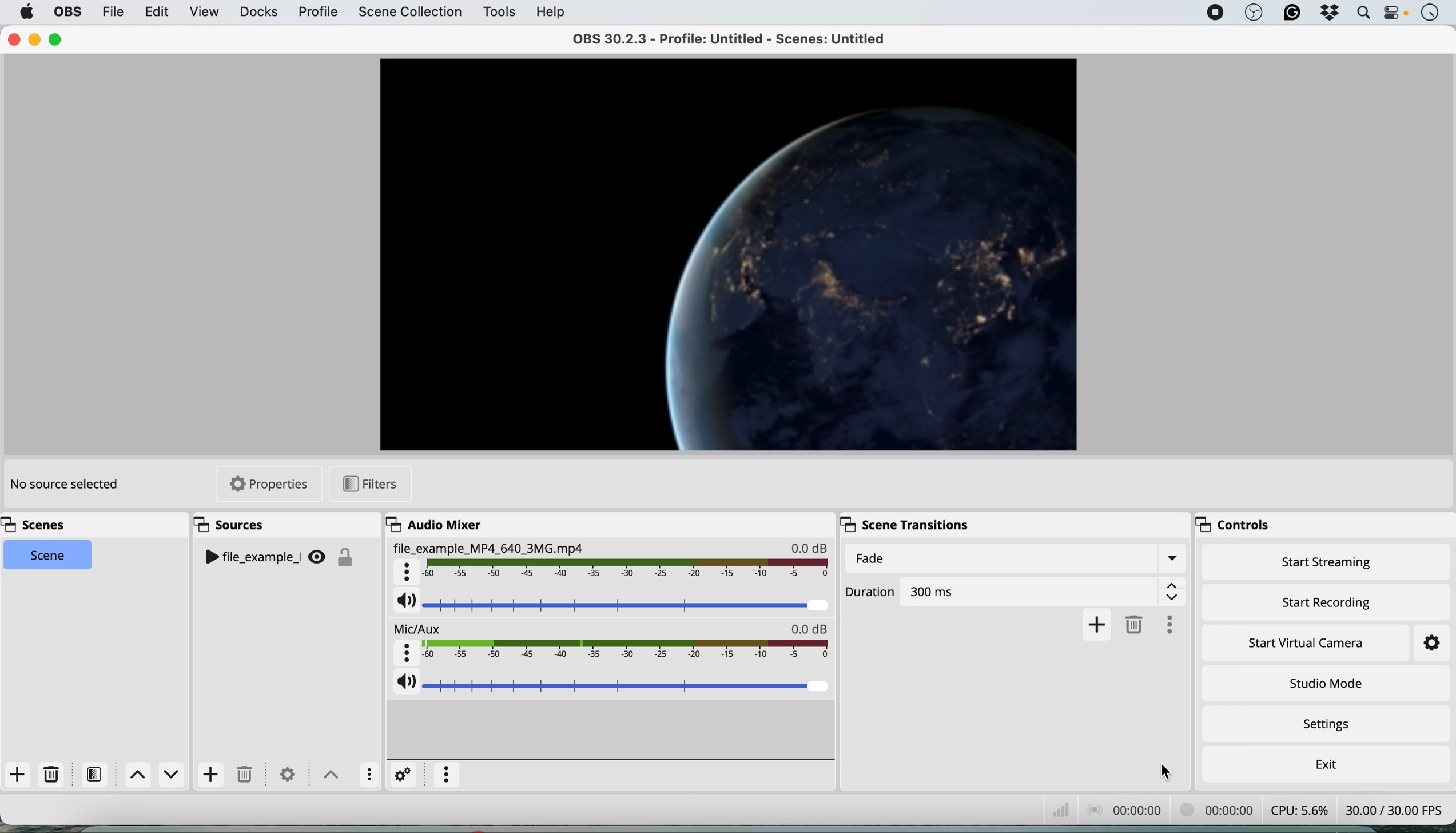  Describe the element at coordinates (432, 524) in the screenshot. I see `audio mixer` at that location.